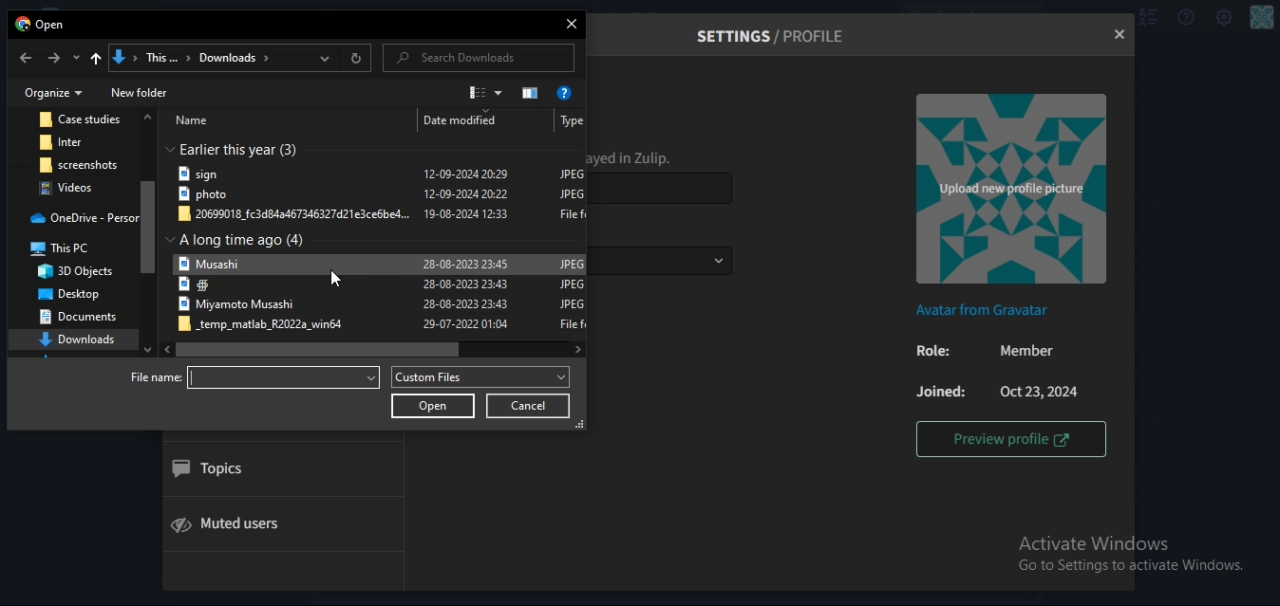  Describe the element at coordinates (78, 271) in the screenshot. I see `3d objects` at that location.